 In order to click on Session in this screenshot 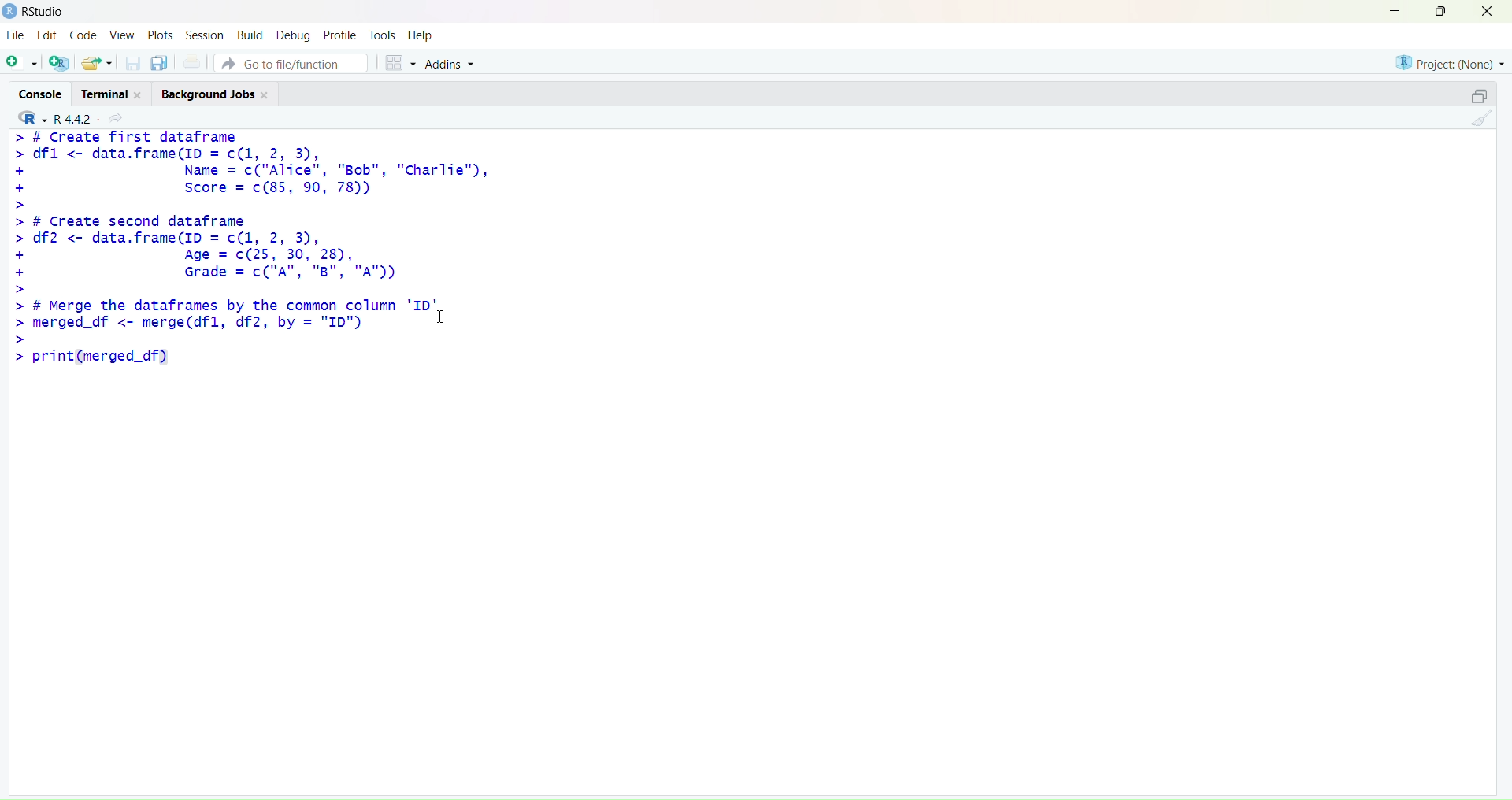, I will do `click(206, 35)`.